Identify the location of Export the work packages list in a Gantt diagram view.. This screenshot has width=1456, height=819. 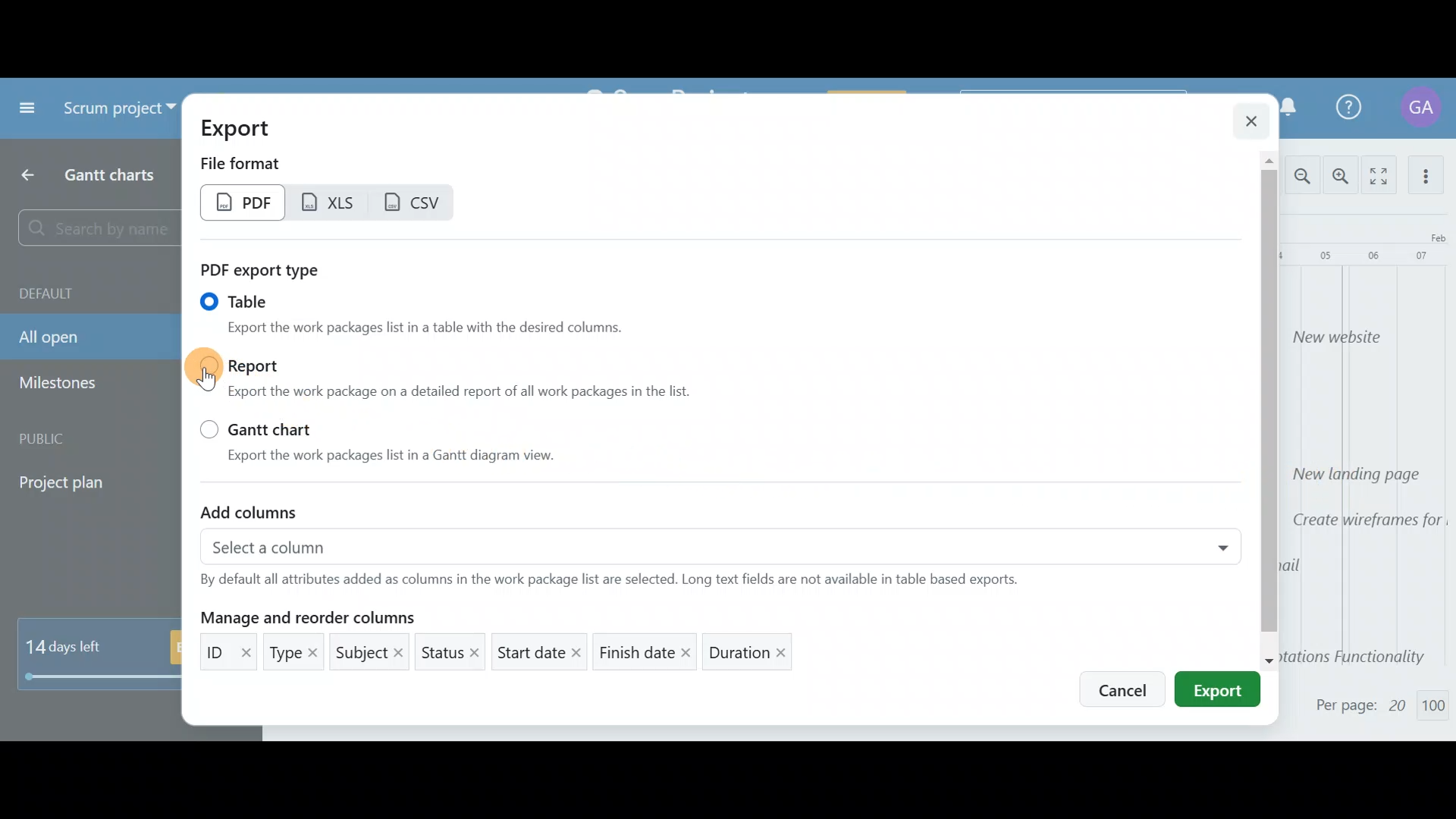
(406, 460).